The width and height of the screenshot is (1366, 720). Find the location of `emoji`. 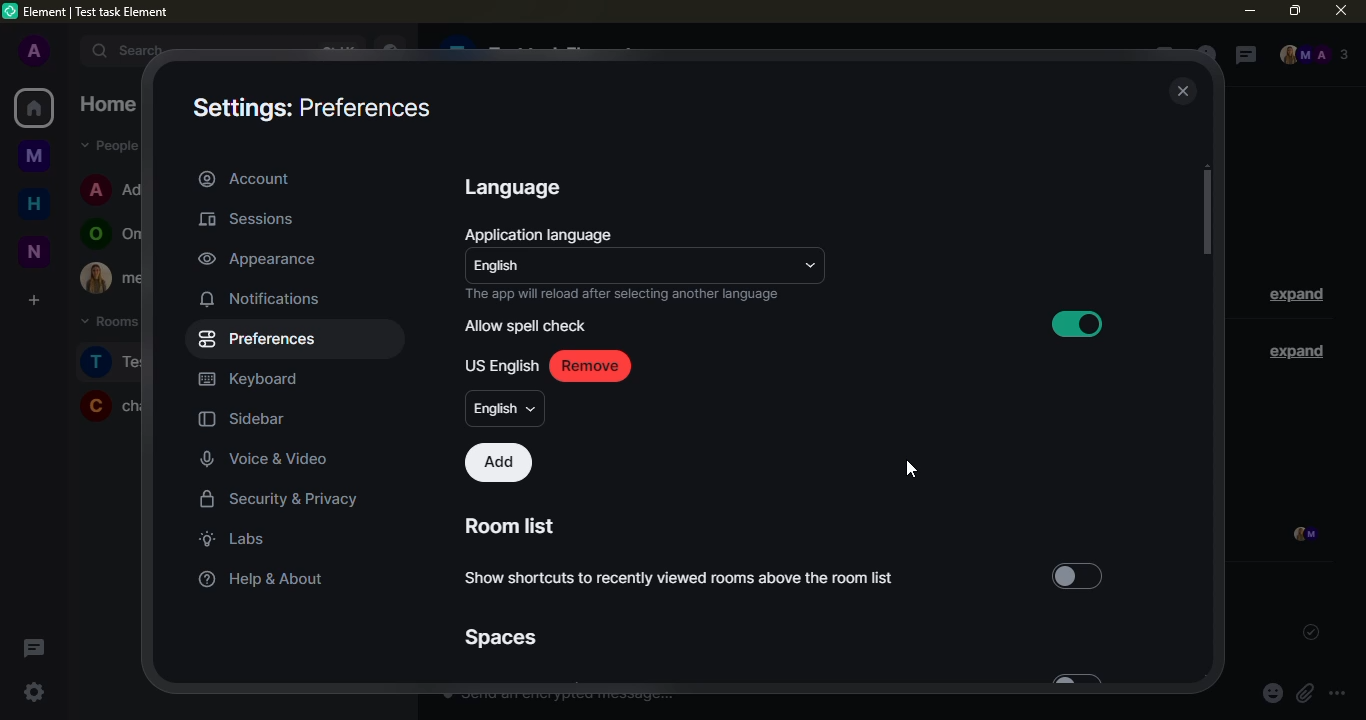

emoji is located at coordinates (1272, 694).